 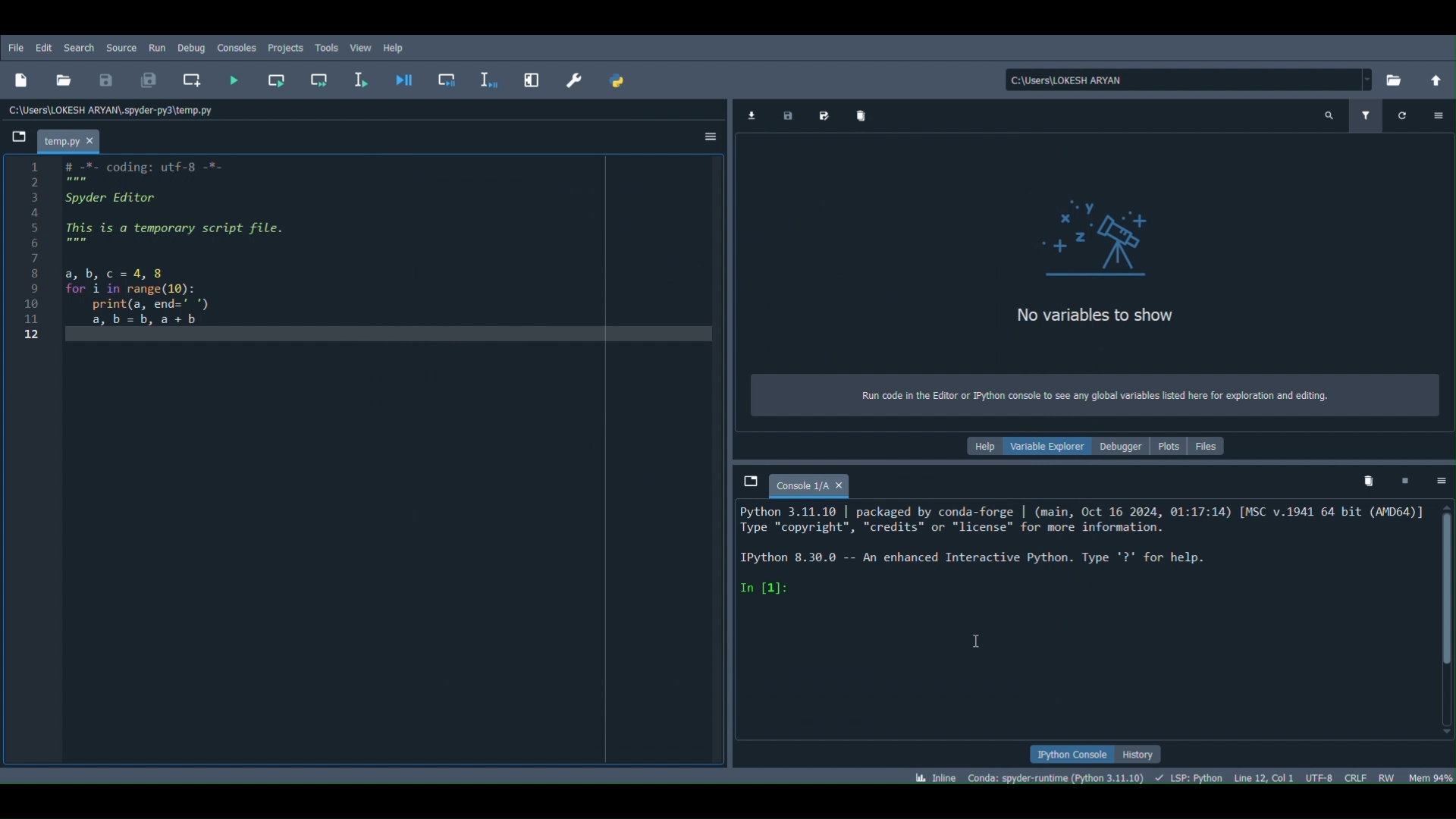 I want to click on File path, so click(x=115, y=108).